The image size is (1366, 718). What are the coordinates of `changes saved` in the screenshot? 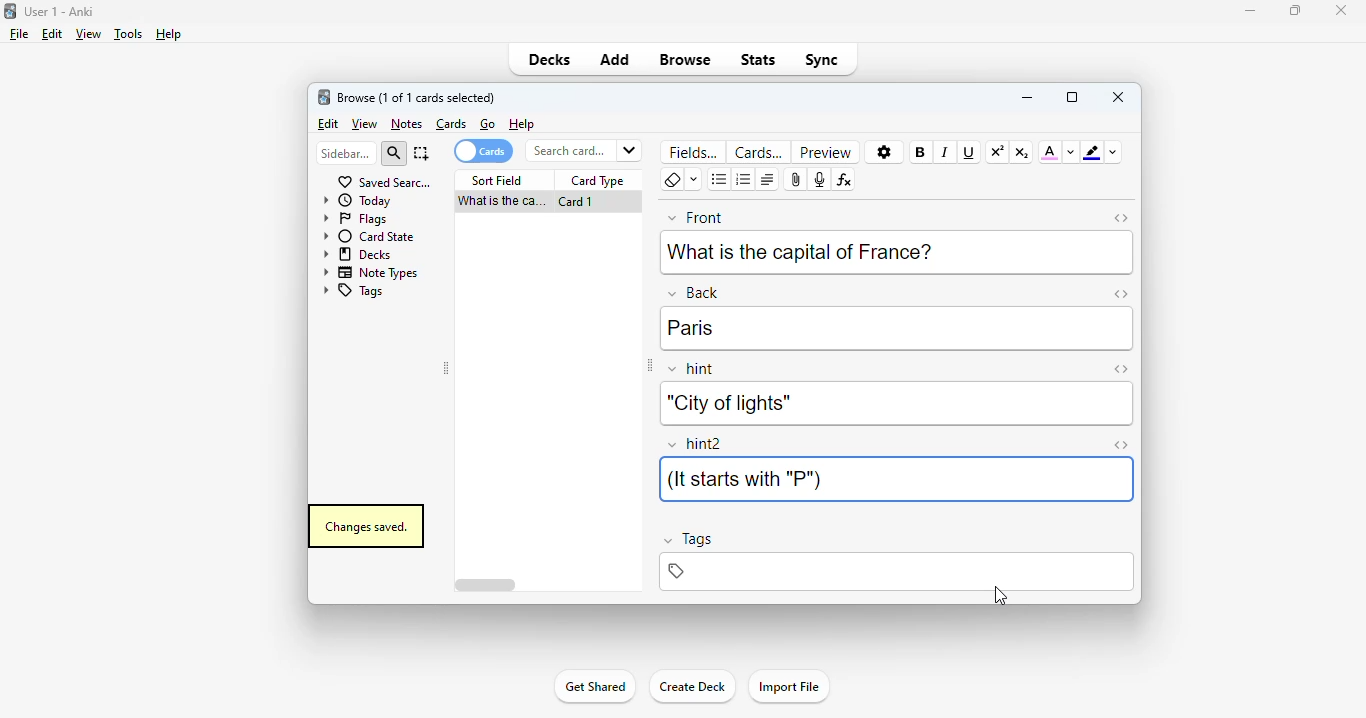 It's located at (364, 526).